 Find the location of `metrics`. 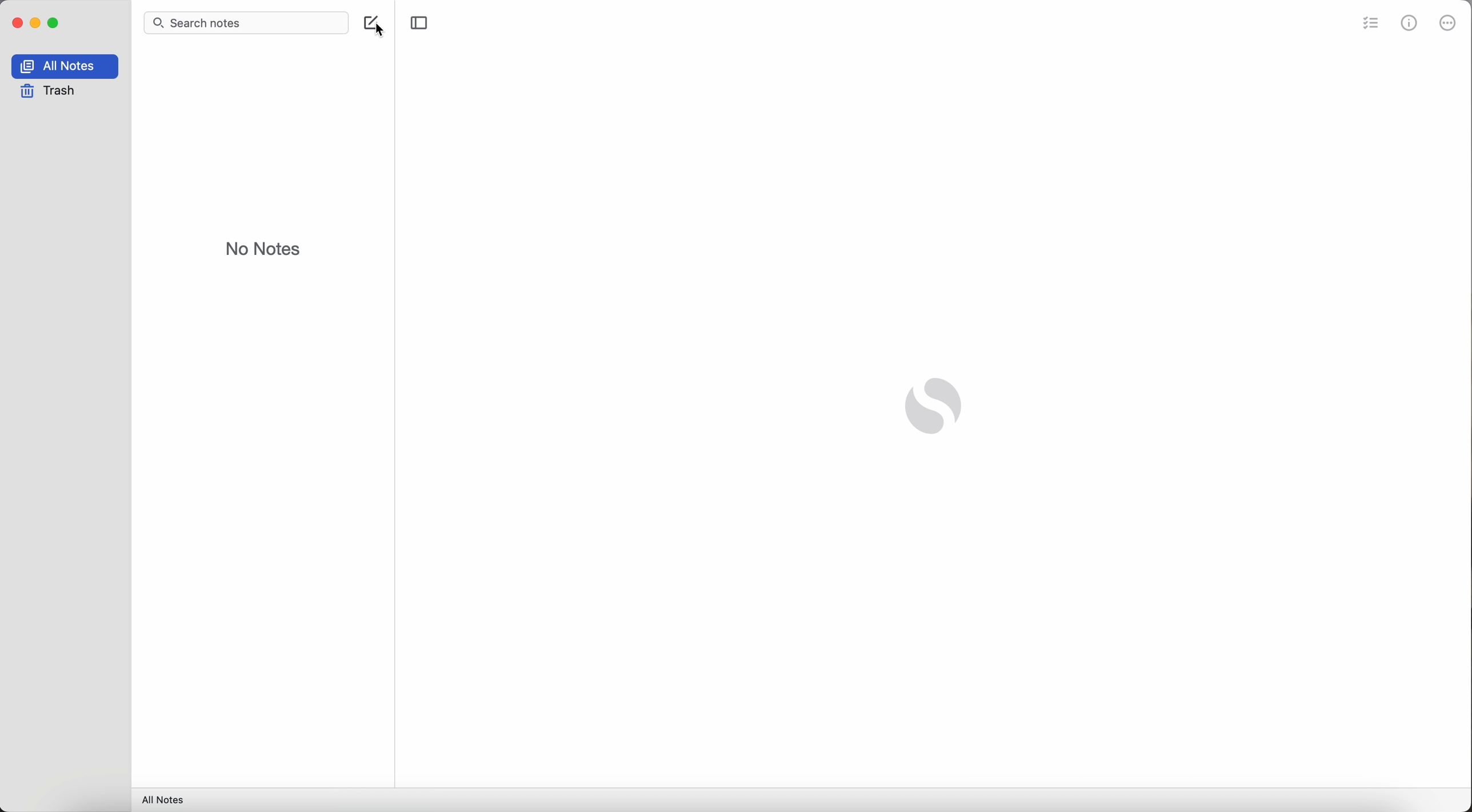

metrics is located at coordinates (1410, 23).